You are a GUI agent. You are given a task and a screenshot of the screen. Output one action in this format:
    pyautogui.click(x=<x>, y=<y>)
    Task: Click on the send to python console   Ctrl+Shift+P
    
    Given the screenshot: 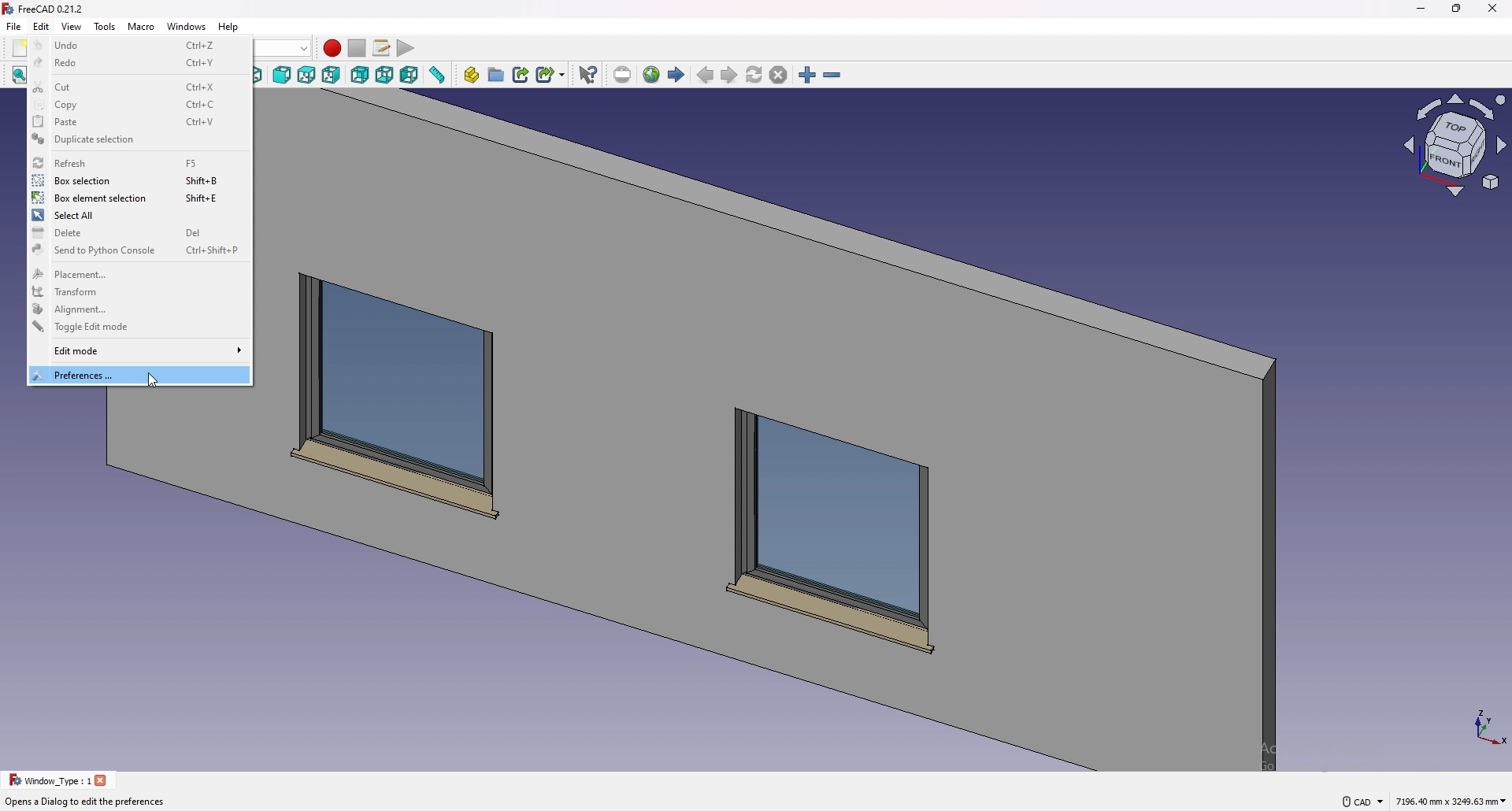 What is the action you would take?
    pyautogui.click(x=135, y=251)
    